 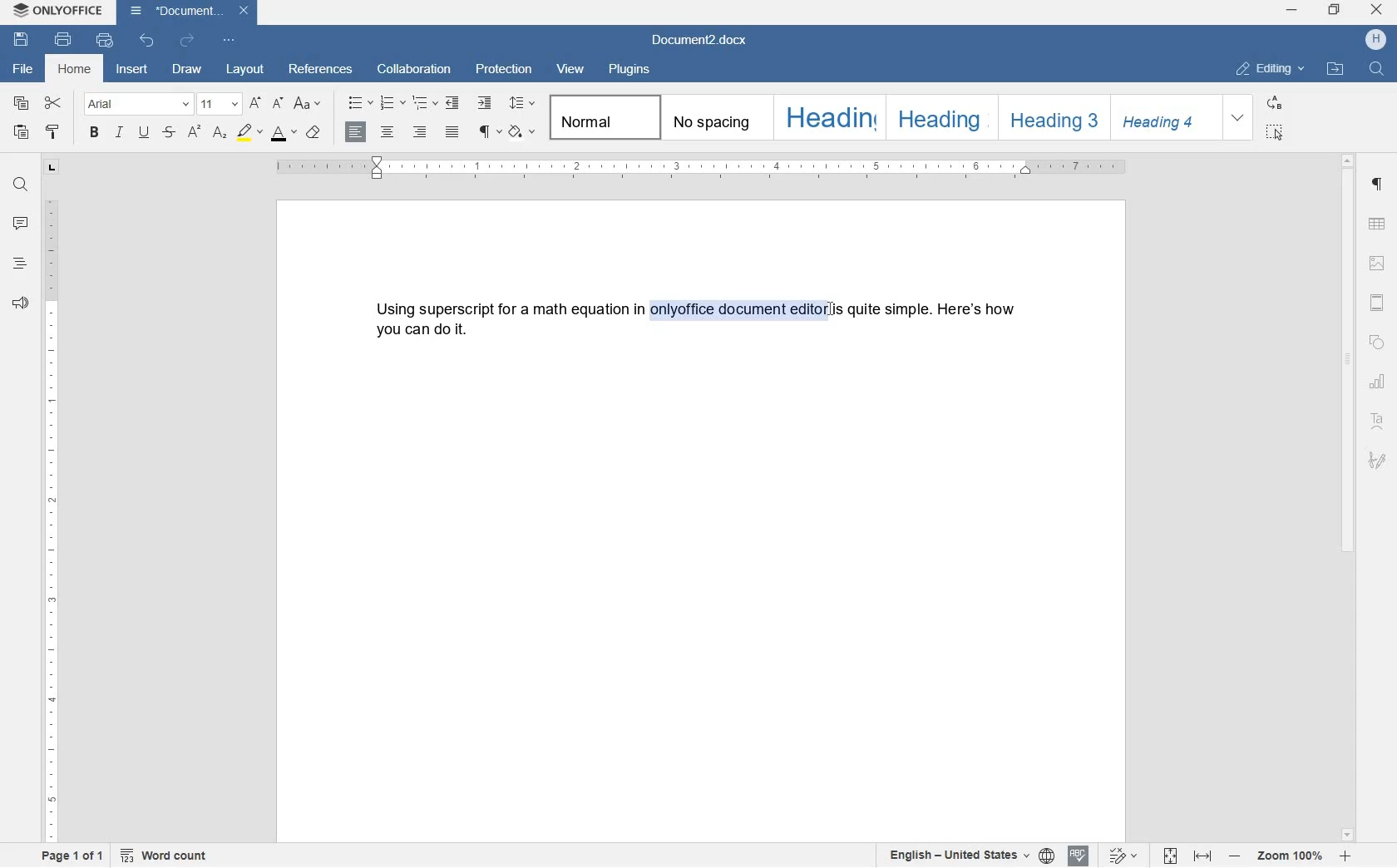 What do you see at coordinates (414, 71) in the screenshot?
I see `collaboration` at bounding box center [414, 71].